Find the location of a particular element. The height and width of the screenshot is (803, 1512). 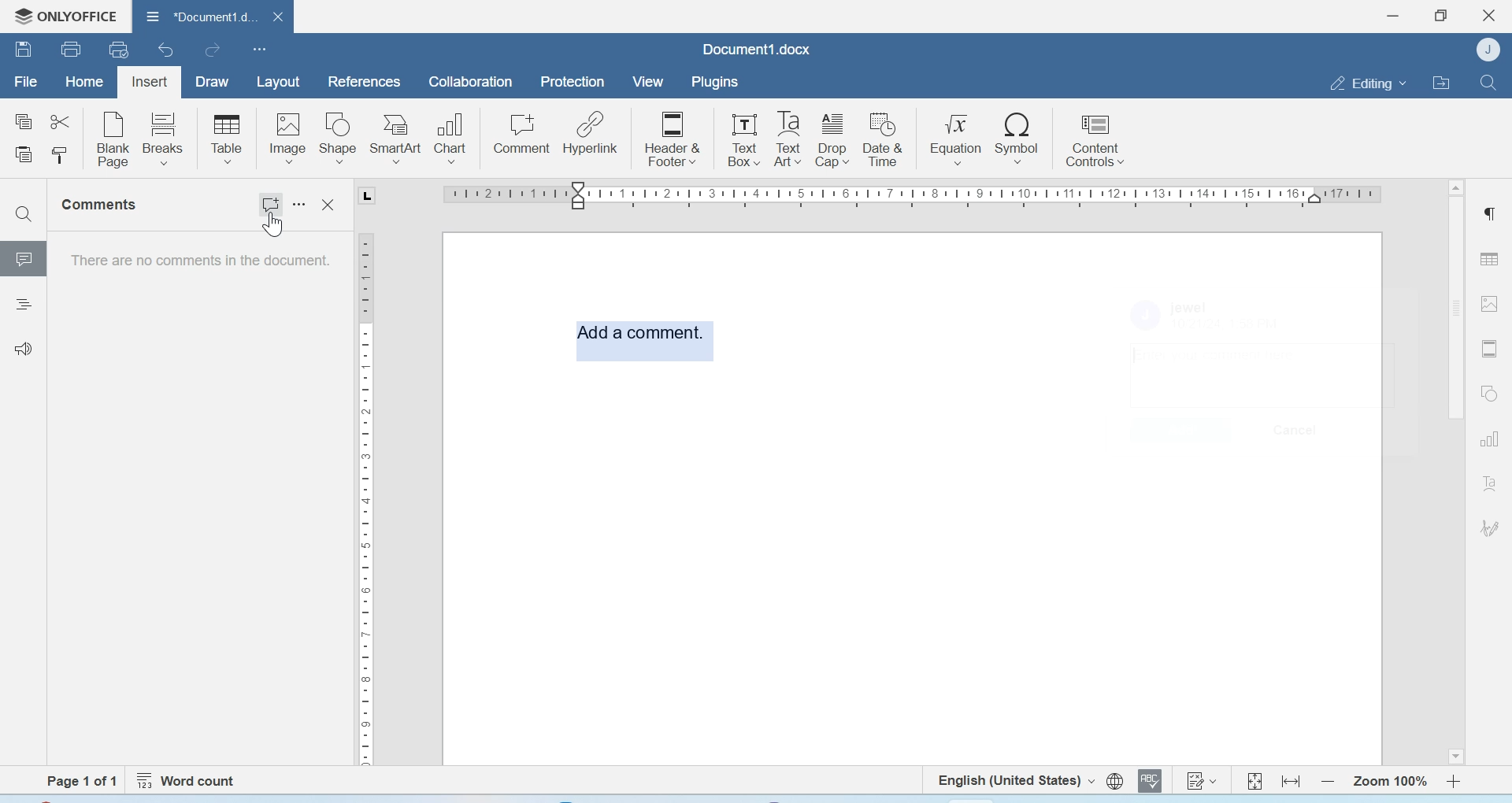

Editing is located at coordinates (1367, 83).